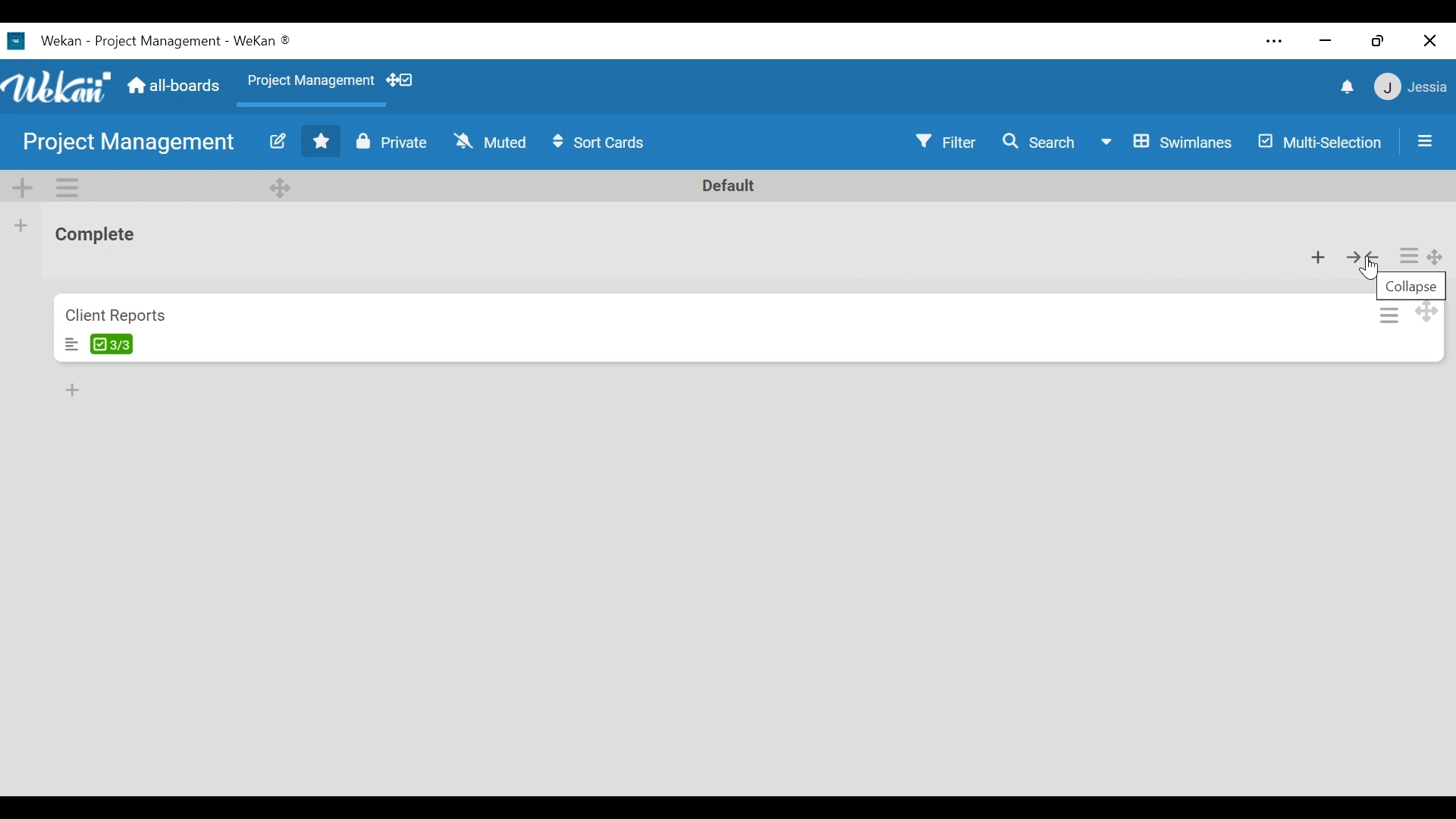  I want to click on Project Management - Wekan 1, so click(190, 39).